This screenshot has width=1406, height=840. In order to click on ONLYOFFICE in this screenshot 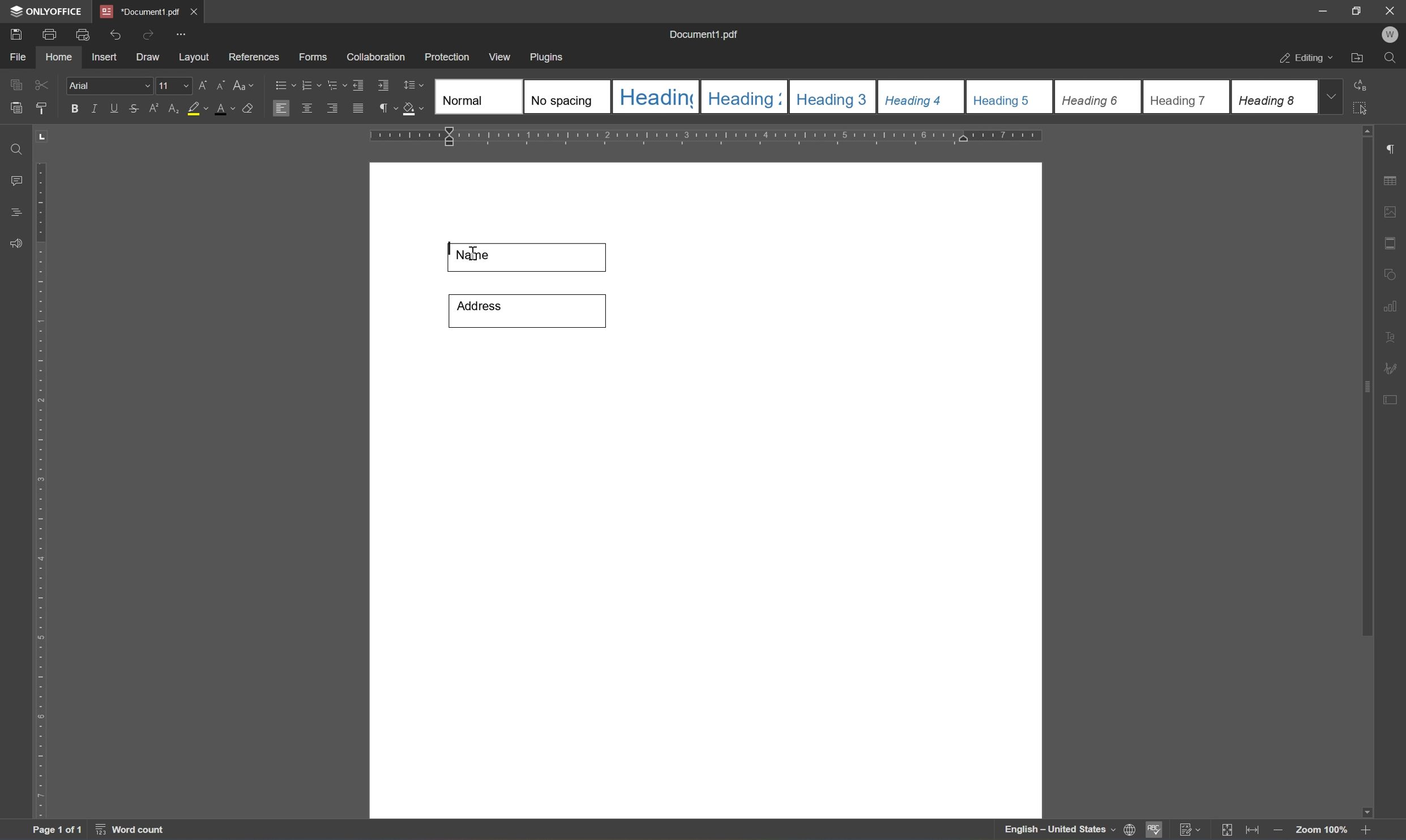, I will do `click(44, 11)`.